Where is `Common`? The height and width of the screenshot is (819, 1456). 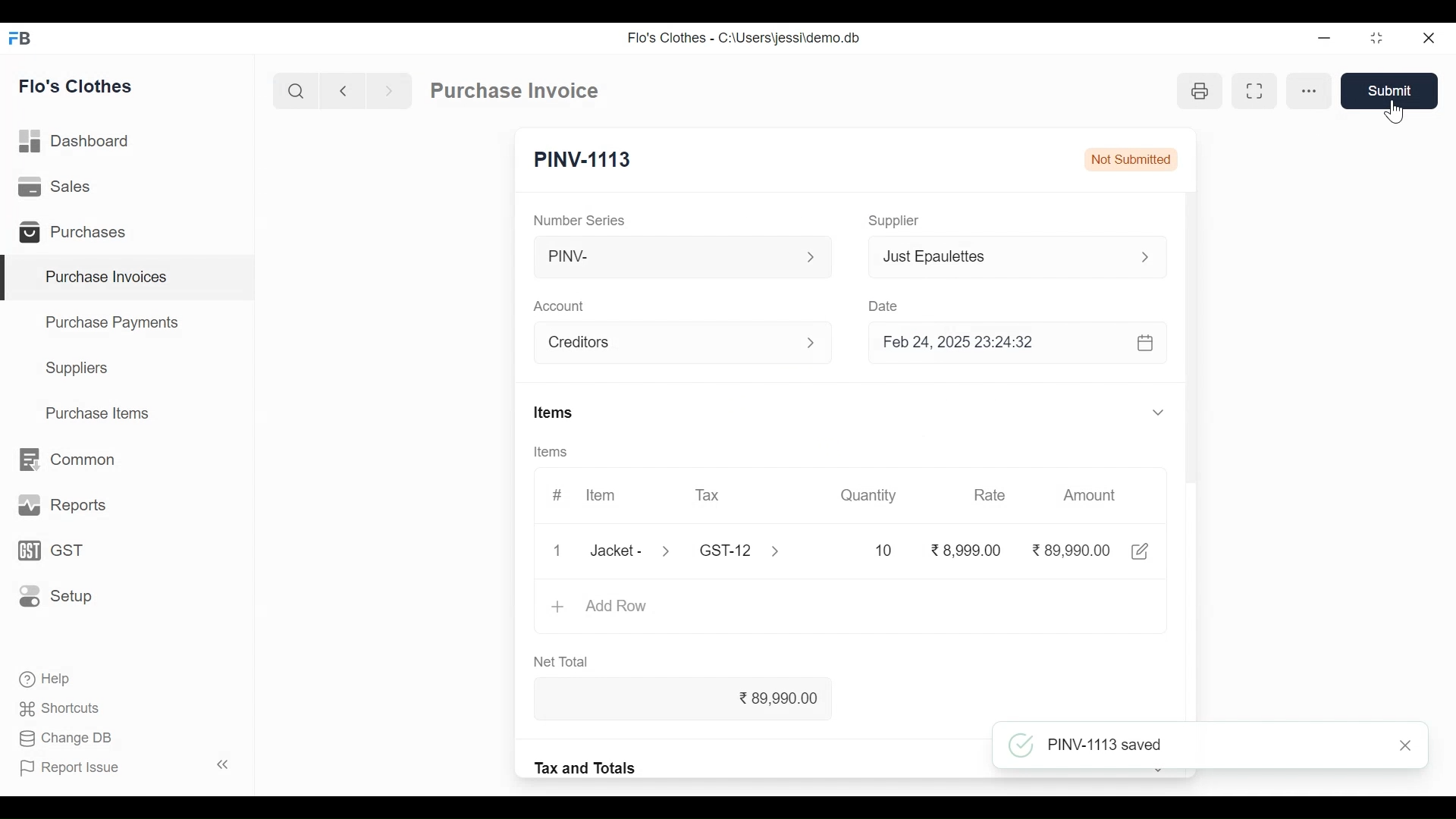
Common is located at coordinates (70, 459).